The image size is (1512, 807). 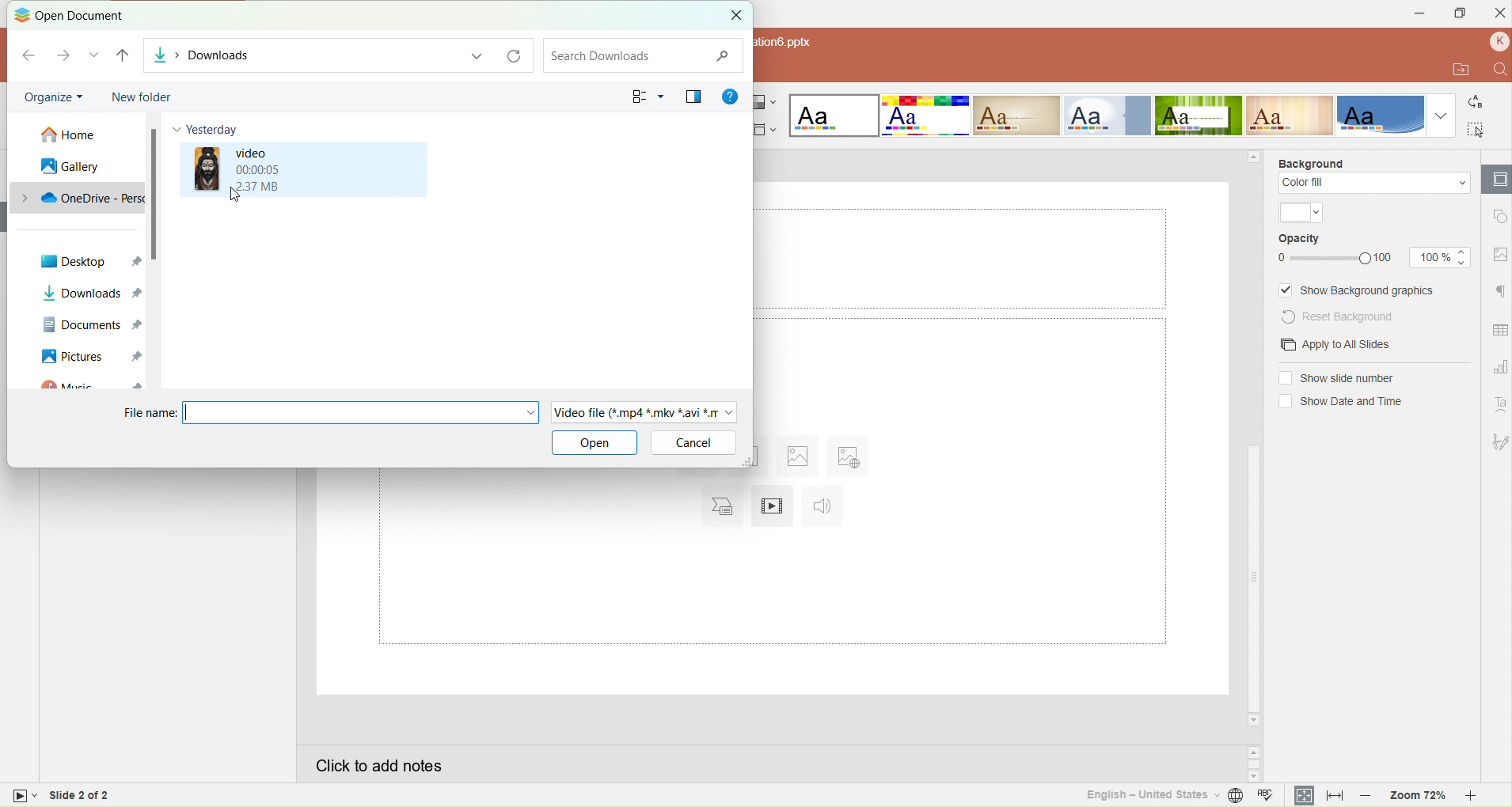 I want to click on Show background graphics, so click(x=1357, y=290).